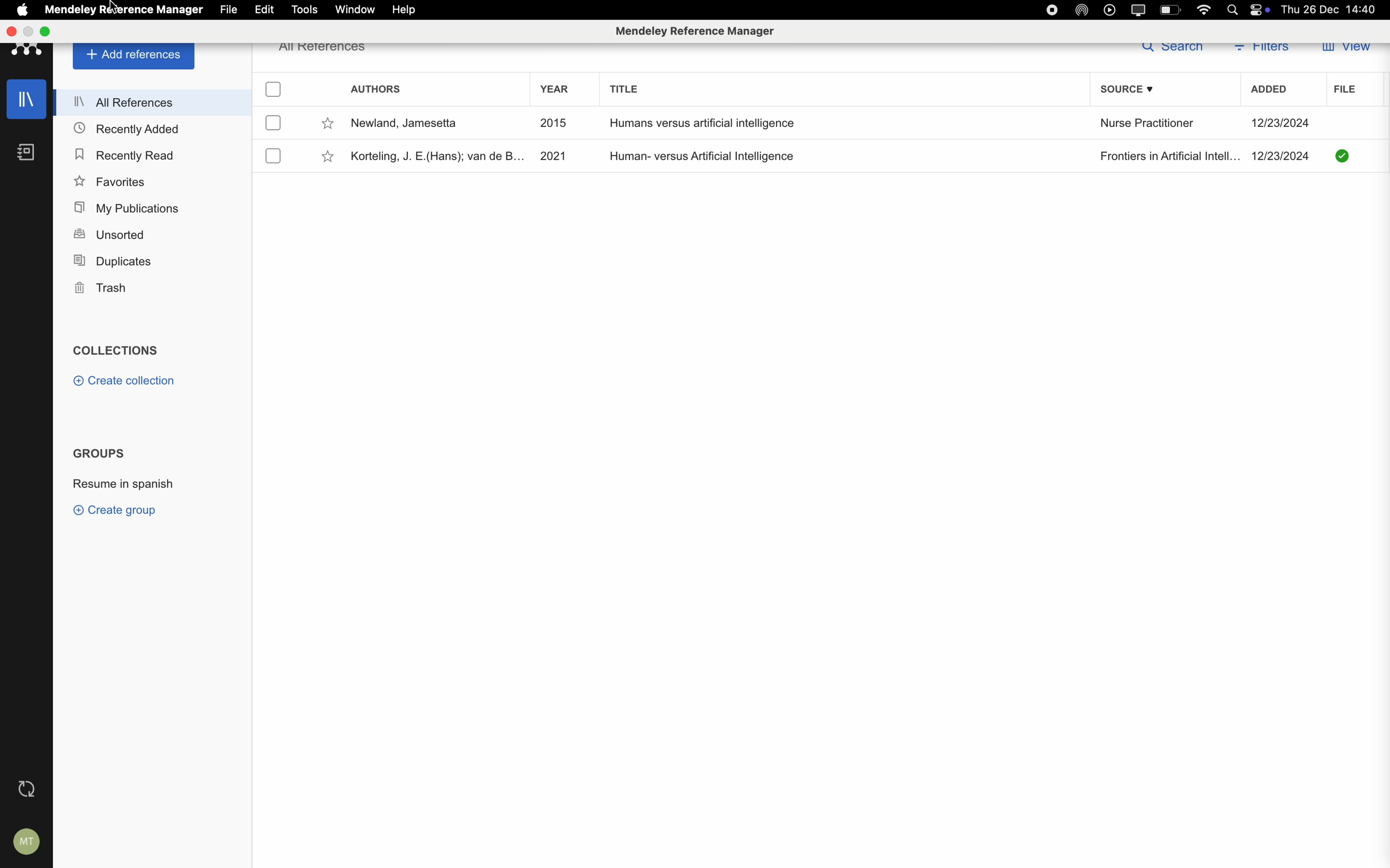  Describe the element at coordinates (26, 152) in the screenshot. I see `notebooks` at that location.